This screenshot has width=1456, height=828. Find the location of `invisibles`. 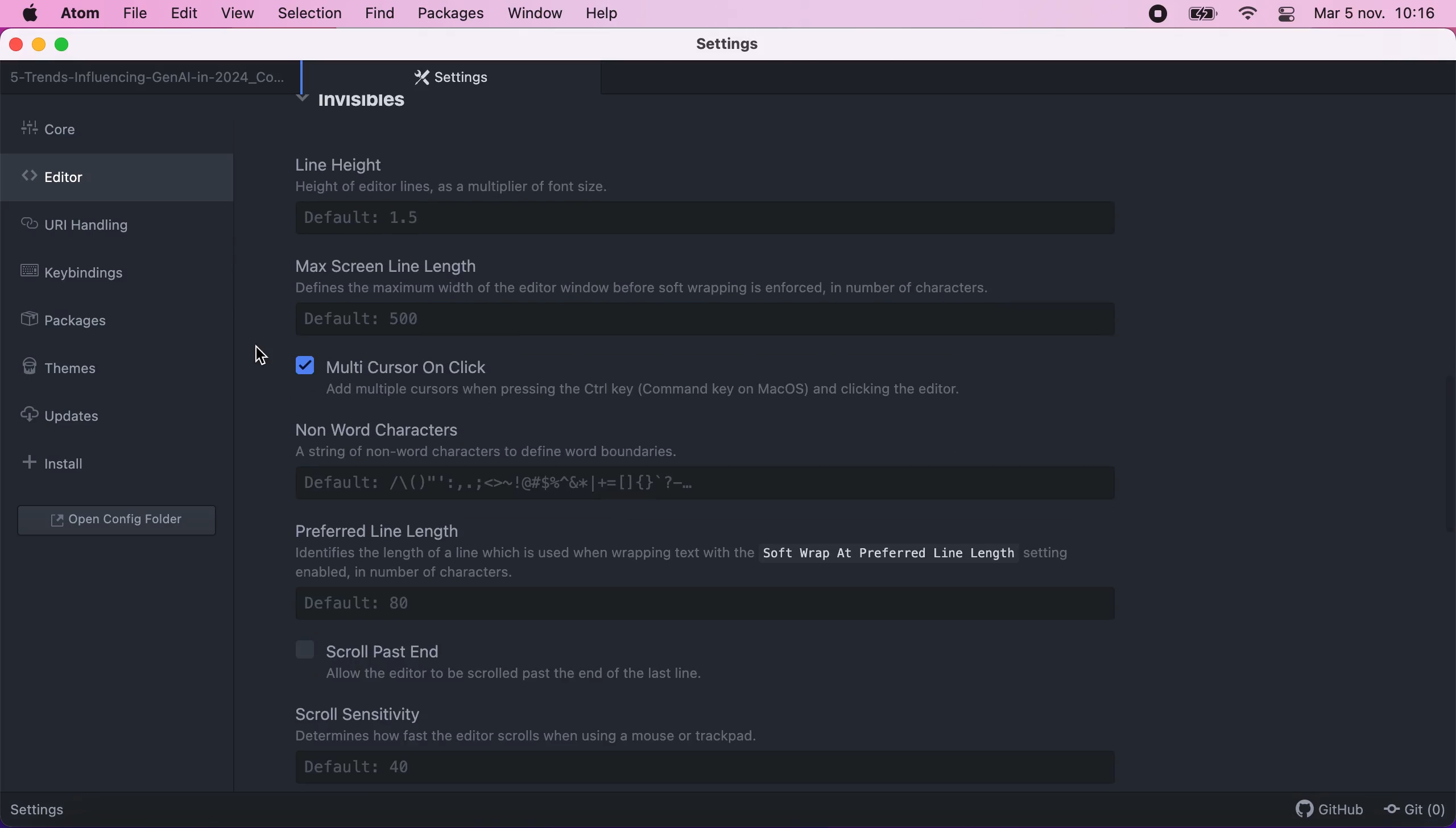

invisibles is located at coordinates (360, 105).